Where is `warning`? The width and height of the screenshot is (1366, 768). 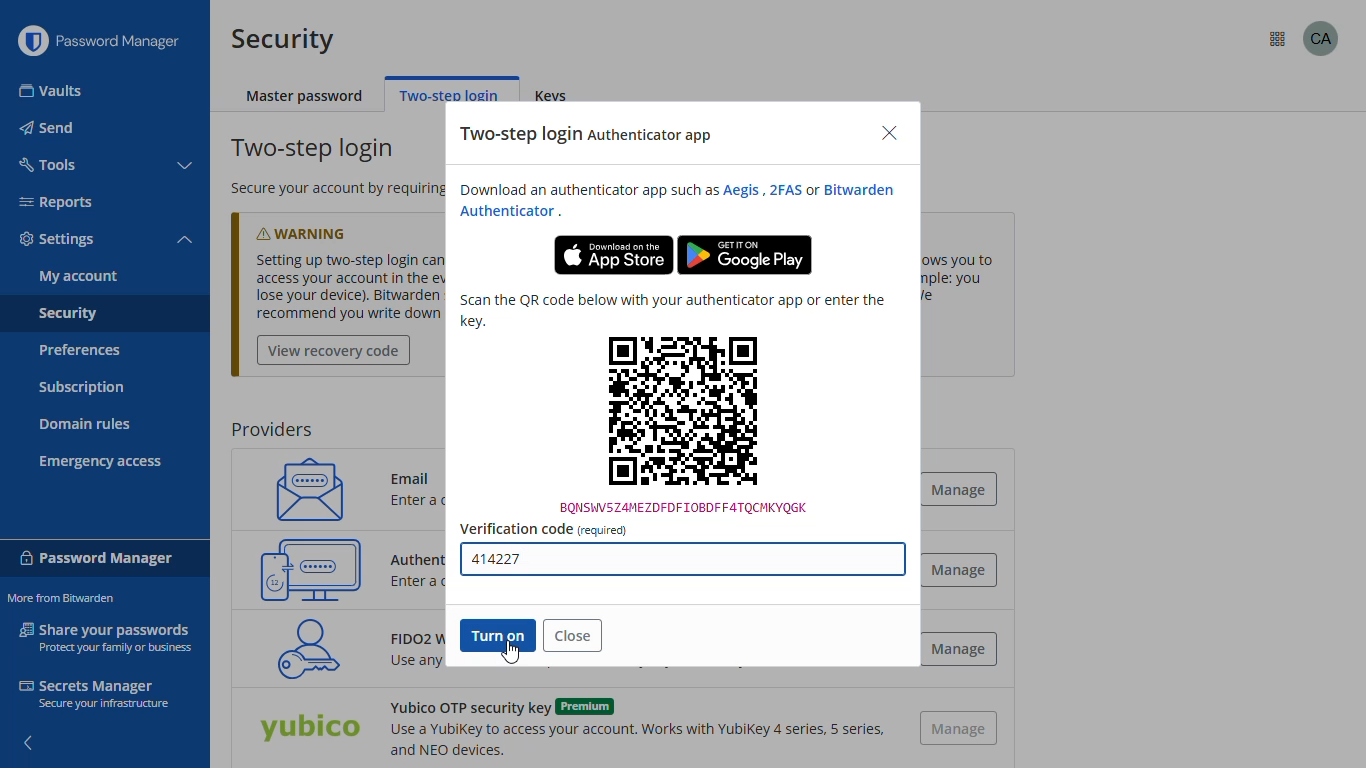 warning is located at coordinates (321, 229).